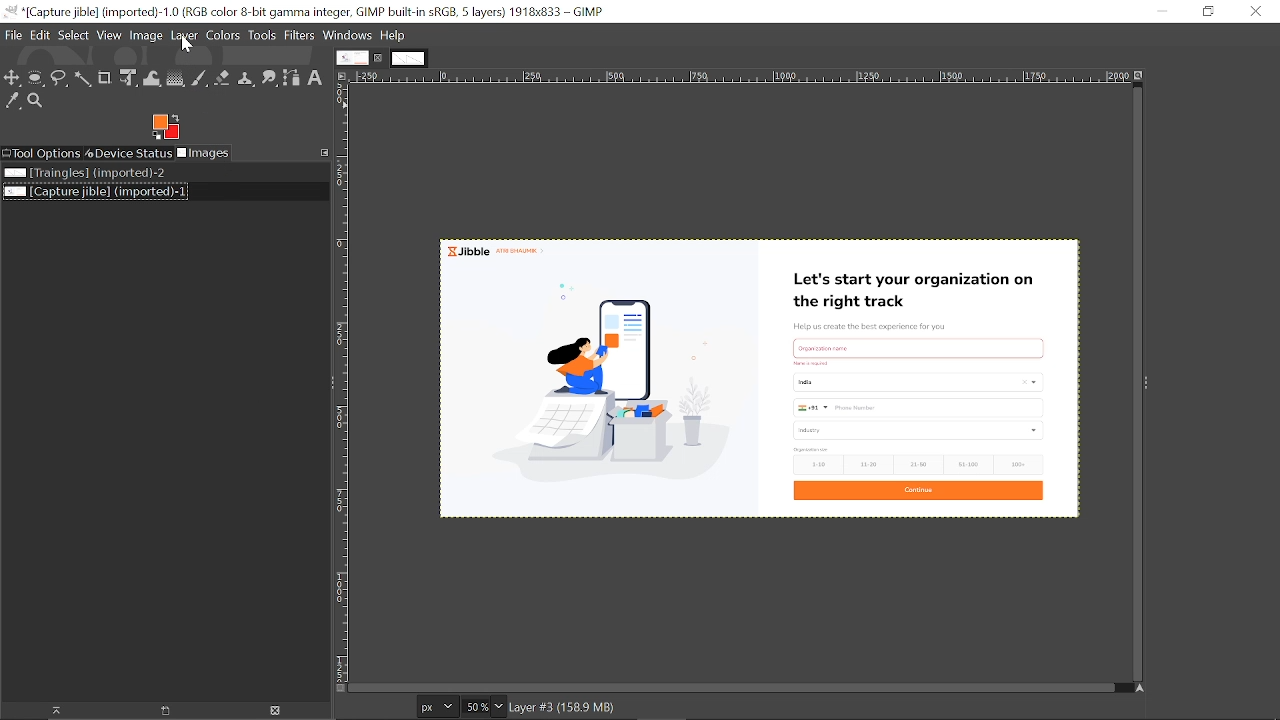  I want to click on Current image, so click(760, 372).